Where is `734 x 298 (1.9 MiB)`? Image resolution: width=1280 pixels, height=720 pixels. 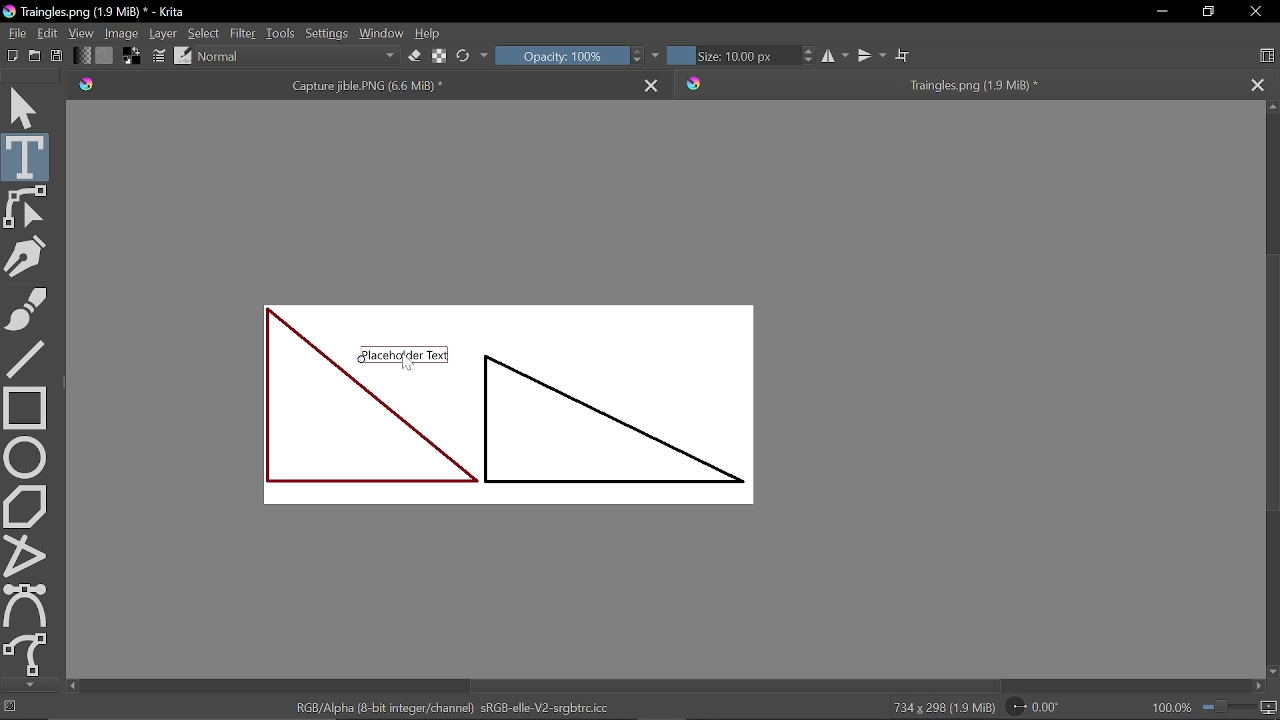
734 x 298 (1.9 MiB) is located at coordinates (940, 708).